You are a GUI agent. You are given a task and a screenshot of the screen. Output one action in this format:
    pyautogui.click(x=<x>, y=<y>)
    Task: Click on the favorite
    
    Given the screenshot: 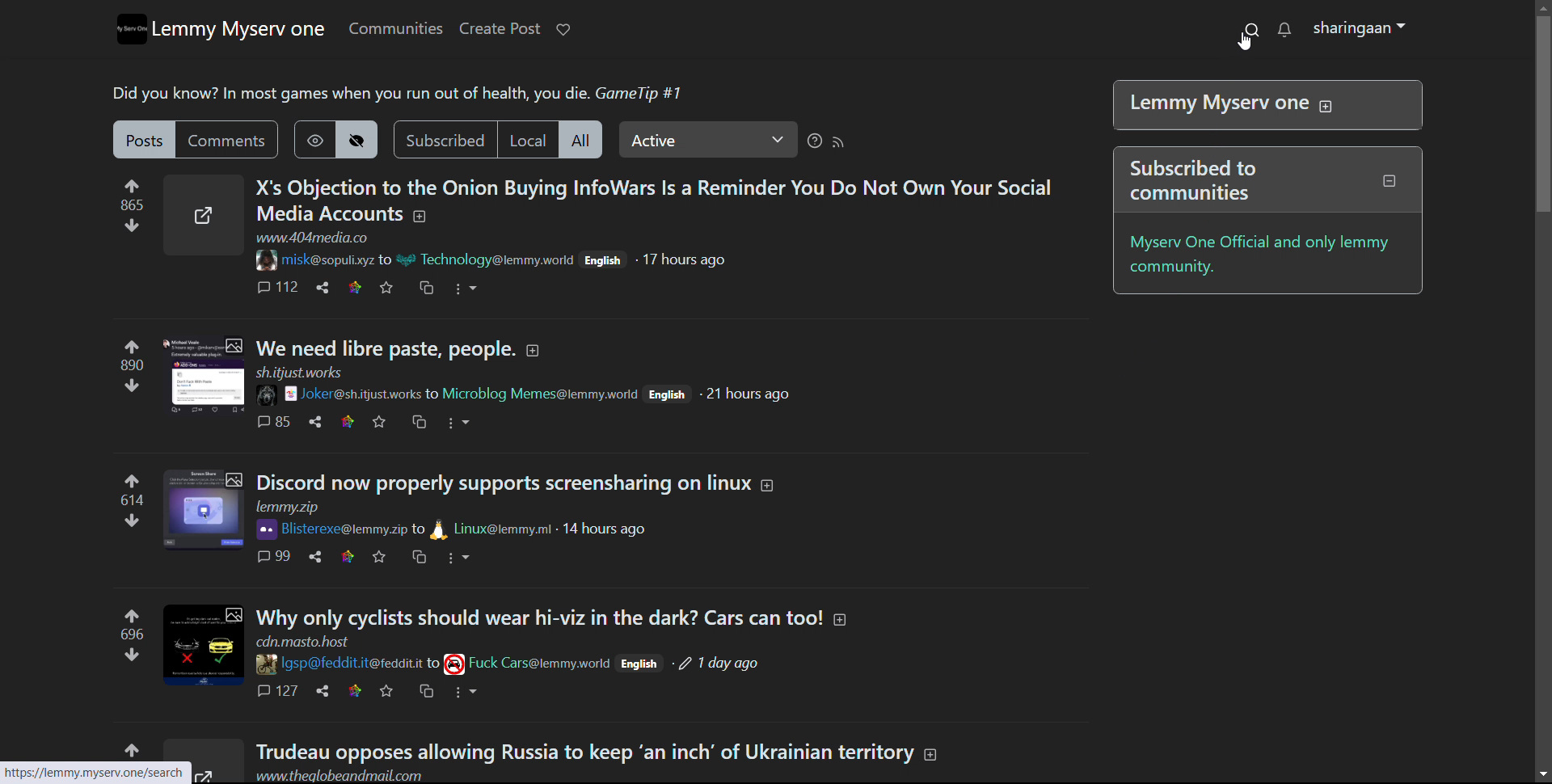 What is the action you would take?
    pyautogui.click(x=382, y=422)
    